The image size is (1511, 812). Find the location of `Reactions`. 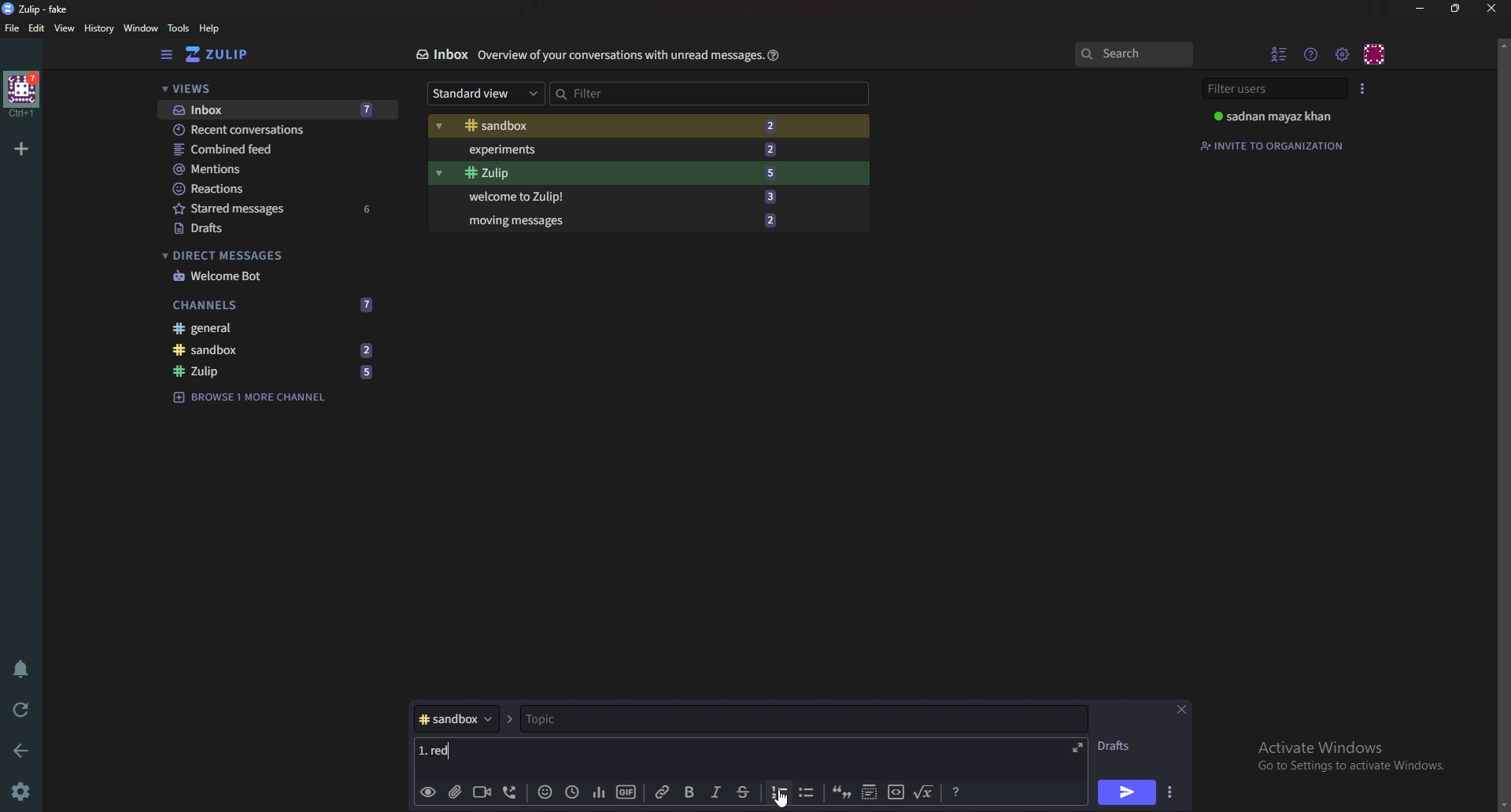

Reactions is located at coordinates (273, 187).